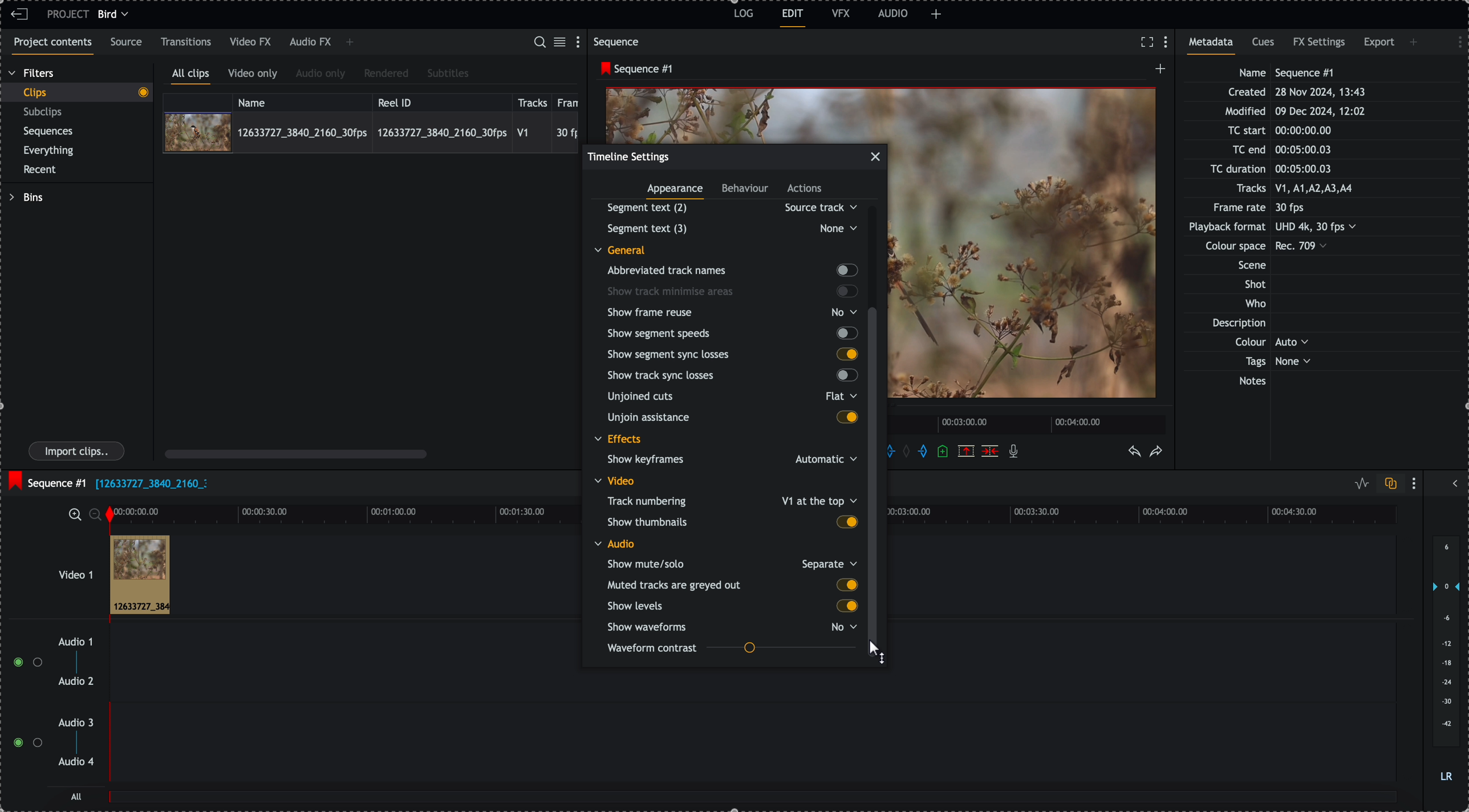  I want to click on video FX, so click(251, 42).